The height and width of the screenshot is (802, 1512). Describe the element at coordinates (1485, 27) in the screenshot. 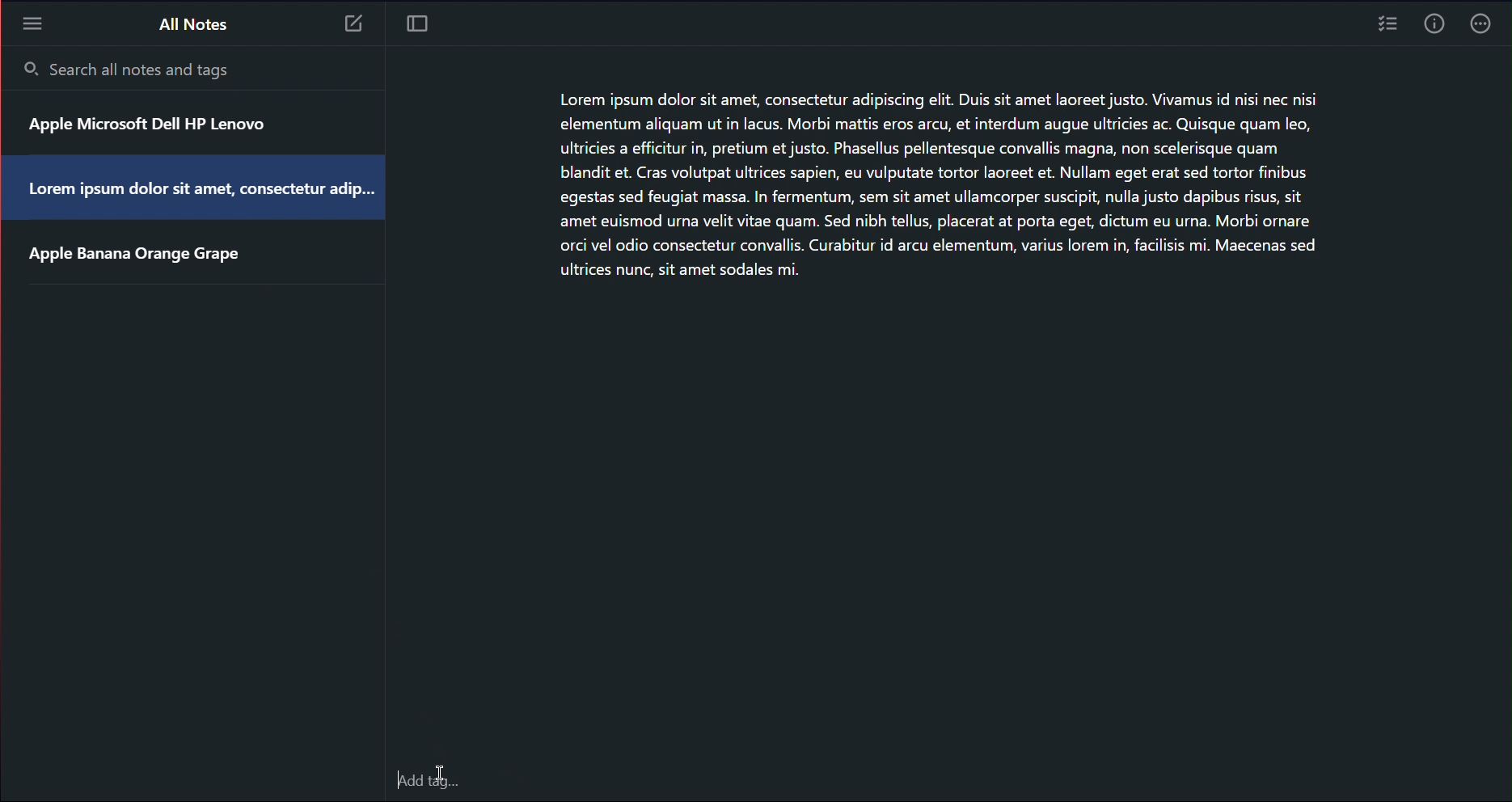

I see `More` at that location.